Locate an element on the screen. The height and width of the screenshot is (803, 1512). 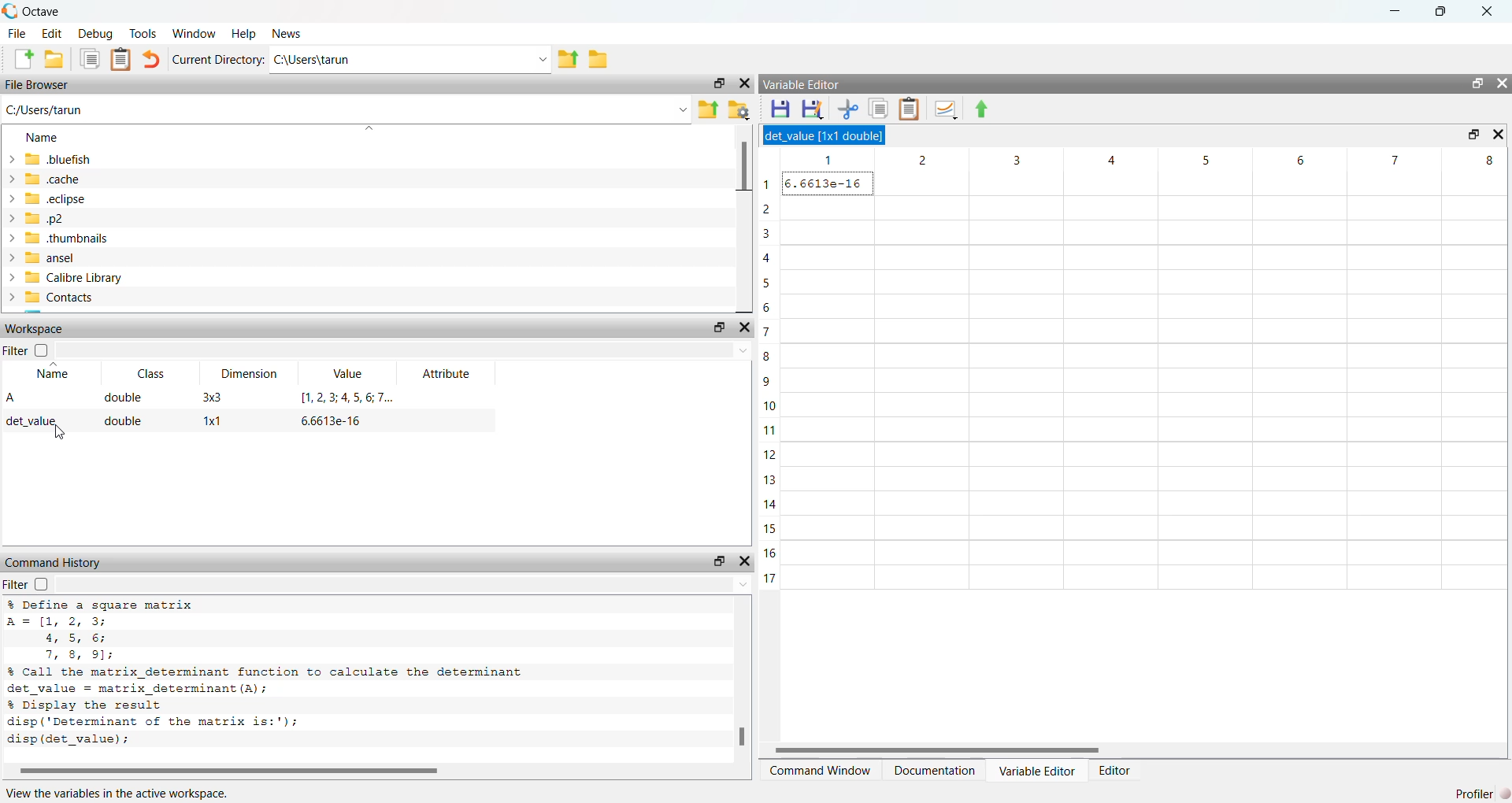
open an existing file in editor is located at coordinates (55, 60).